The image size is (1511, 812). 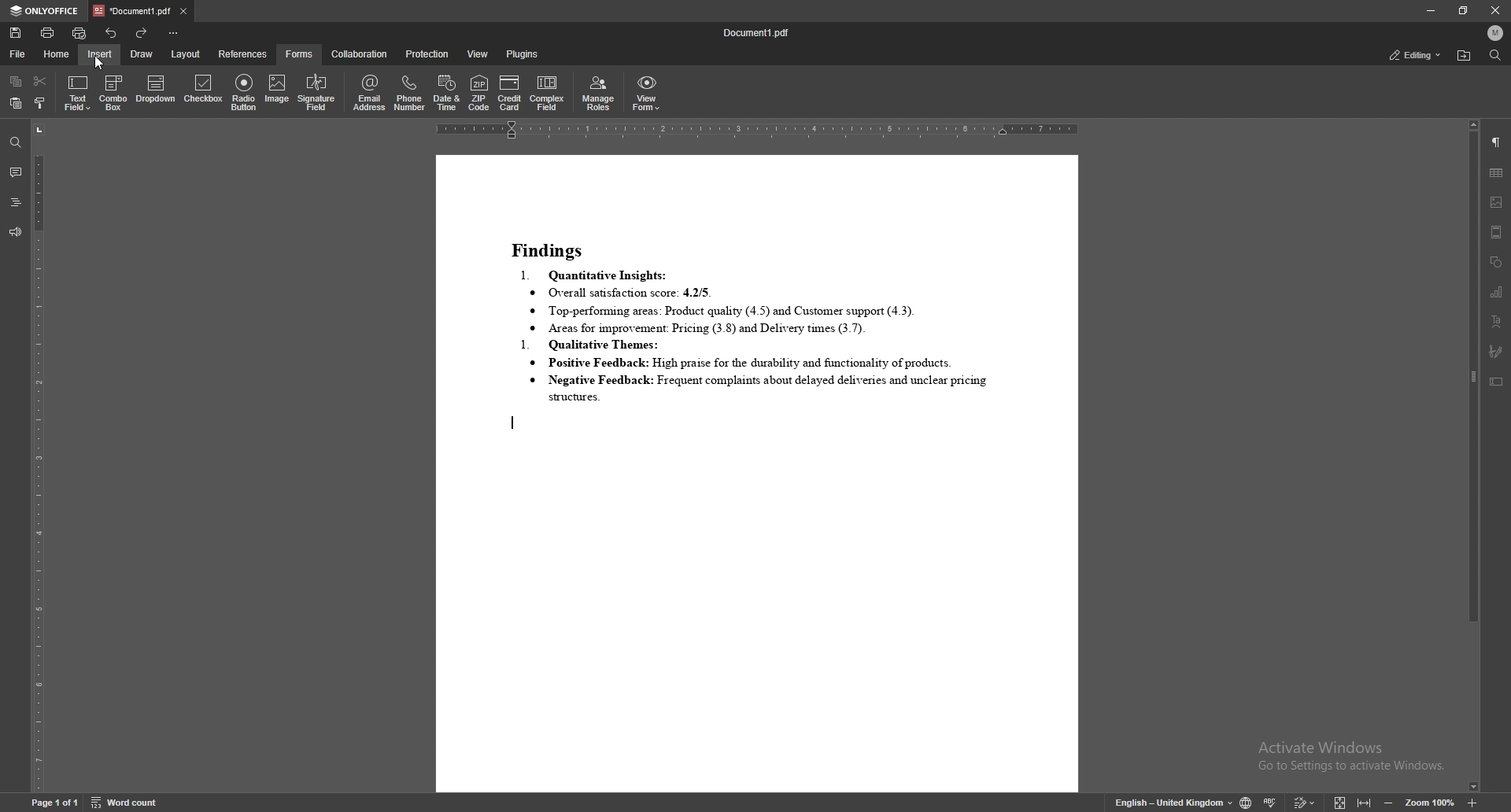 I want to click on track changes, so click(x=1305, y=802).